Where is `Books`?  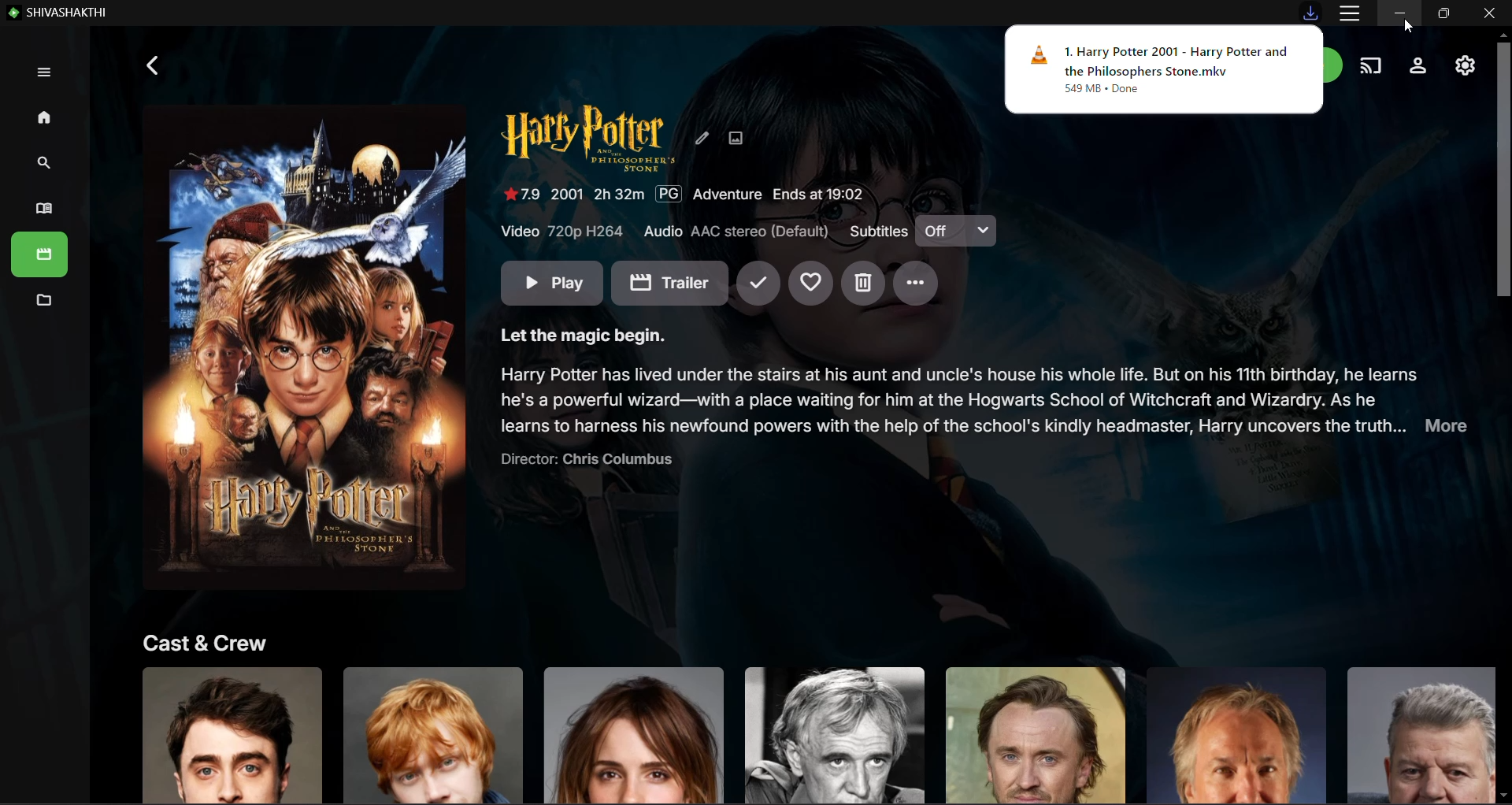 Books is located at coordinates (40, 254).